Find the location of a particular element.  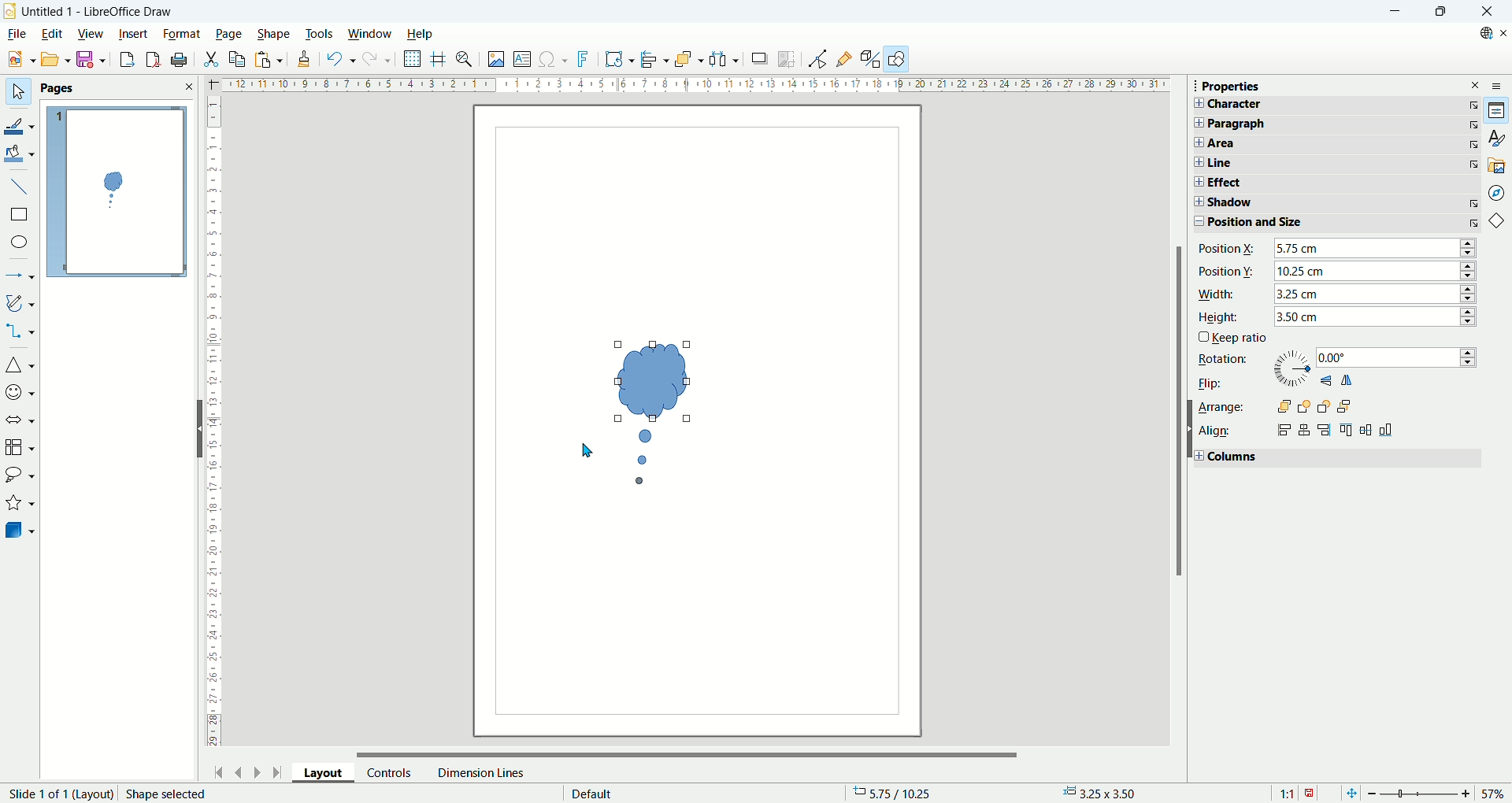

align object is located at coordinates (658, 60).